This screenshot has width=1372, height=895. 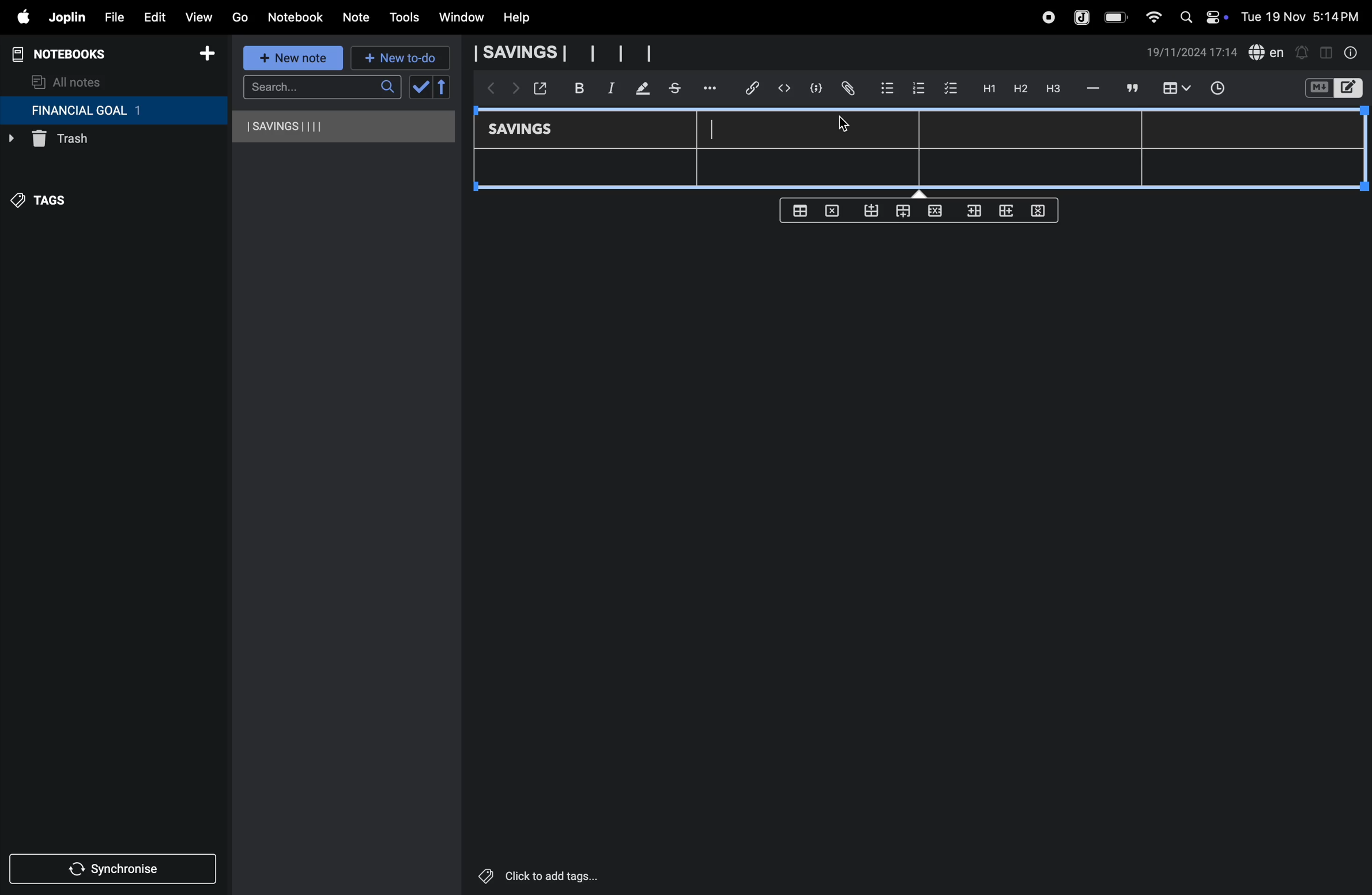 What do you see at coordinates (638, 89) in the screenshot?
I see `mark` at bounding box center [638, 89].